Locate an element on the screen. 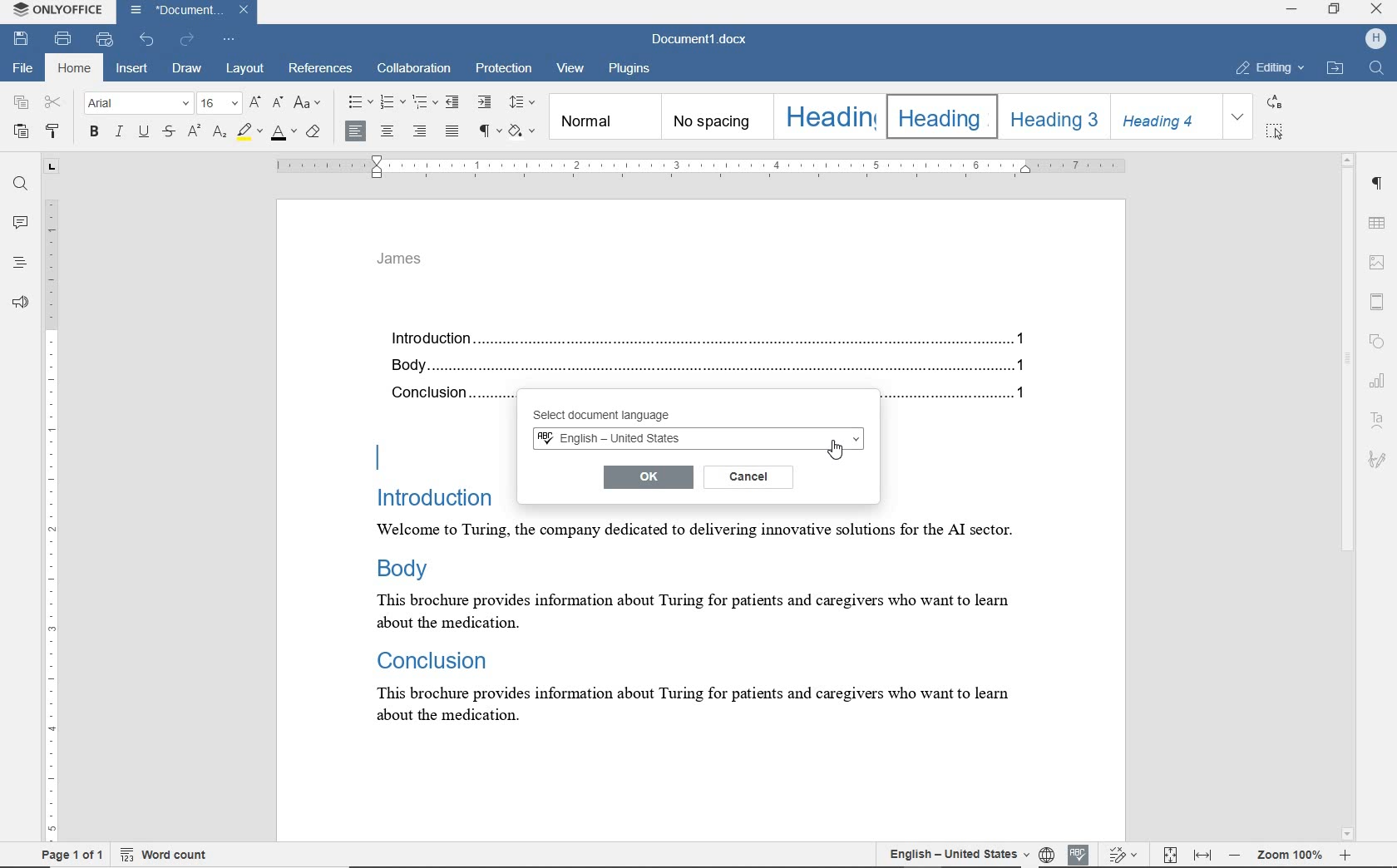  subscript is located at coordinates (219, 132).